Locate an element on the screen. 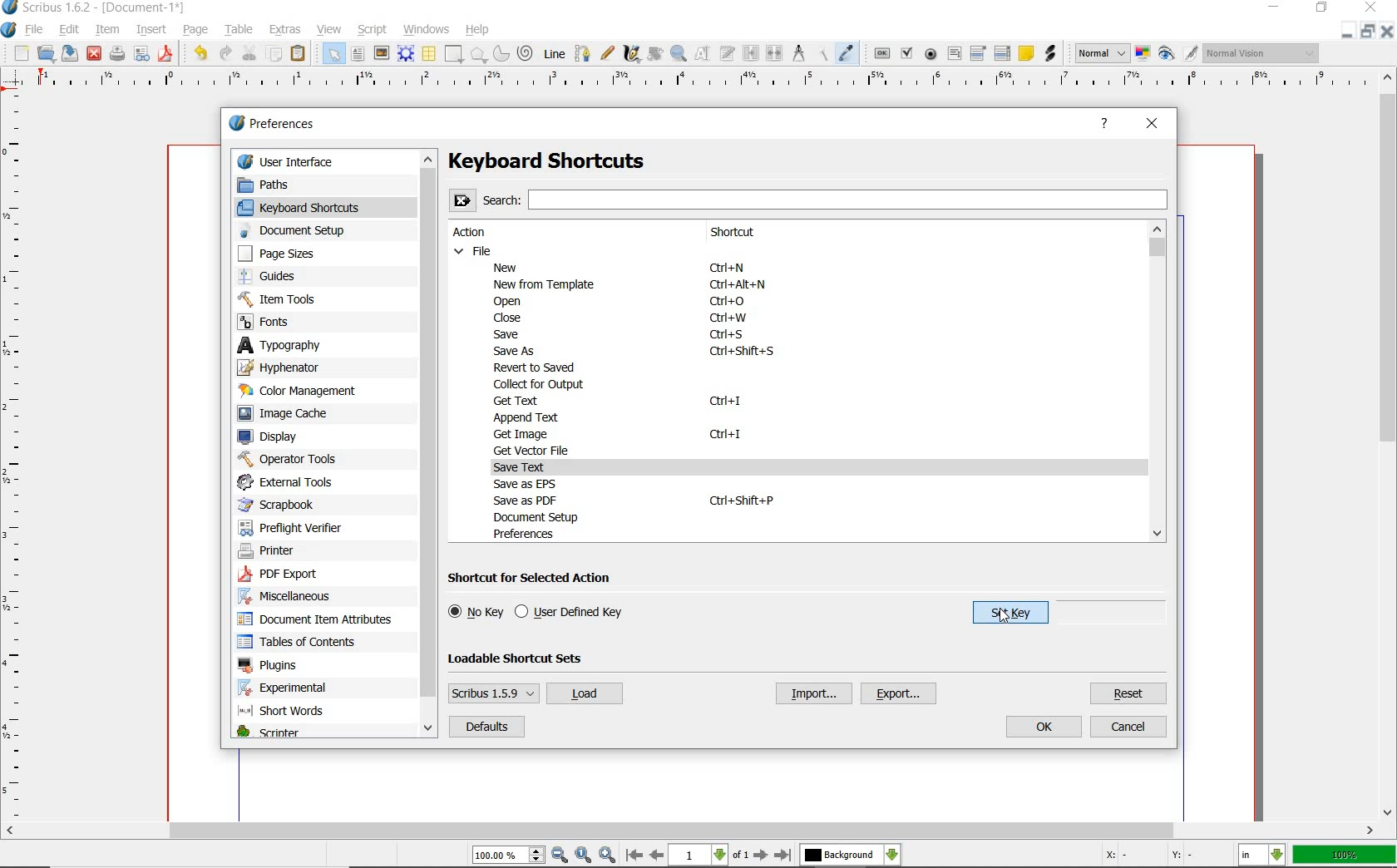  close is located at coordinates (1153, 126).